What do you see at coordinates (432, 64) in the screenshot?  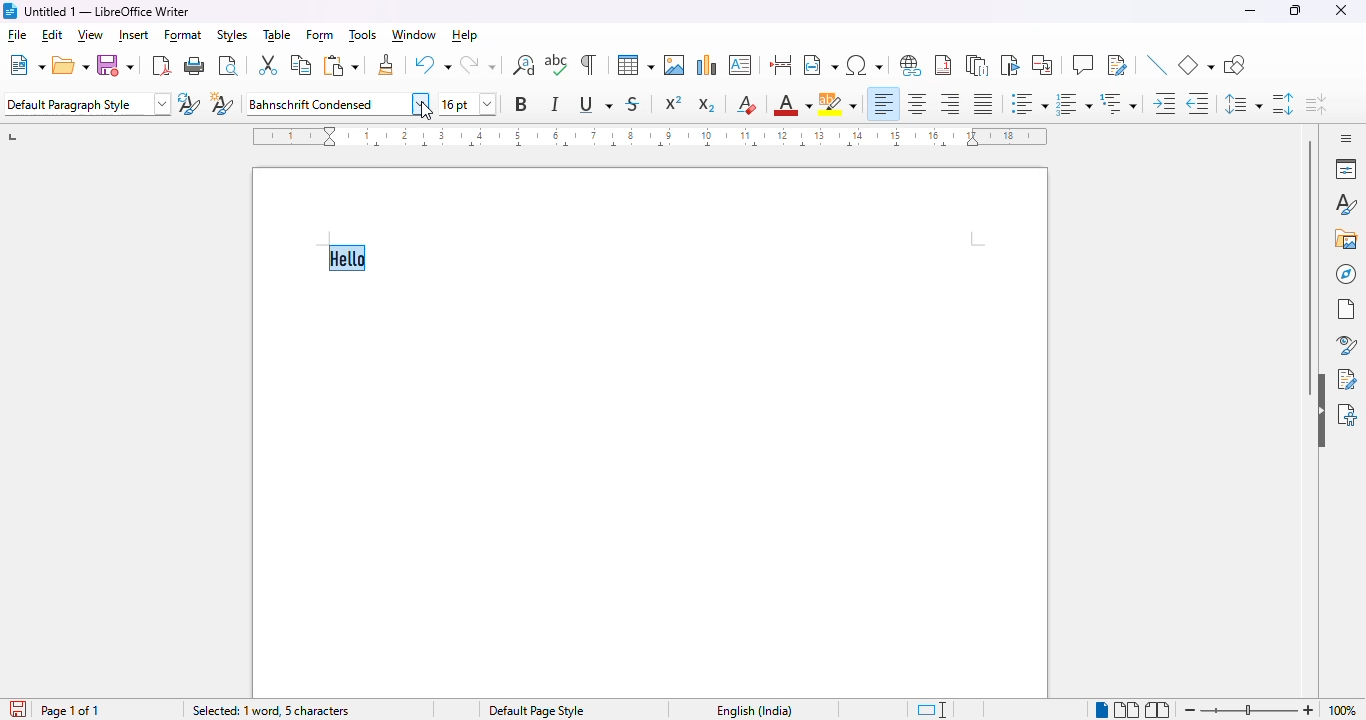 I see `undo` at bounding box center [432, 64].